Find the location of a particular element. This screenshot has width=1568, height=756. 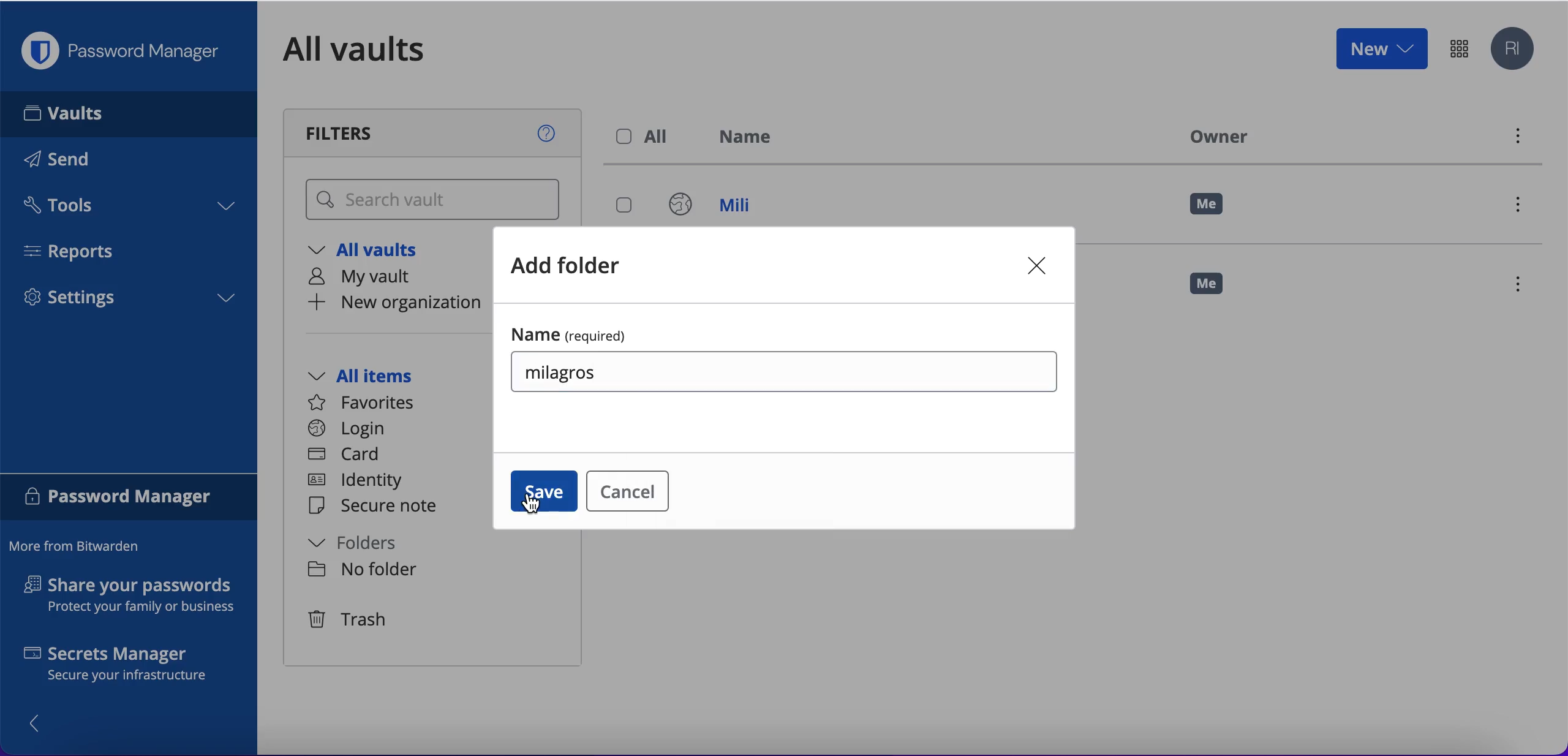

all is located at coordinates (646, 137).